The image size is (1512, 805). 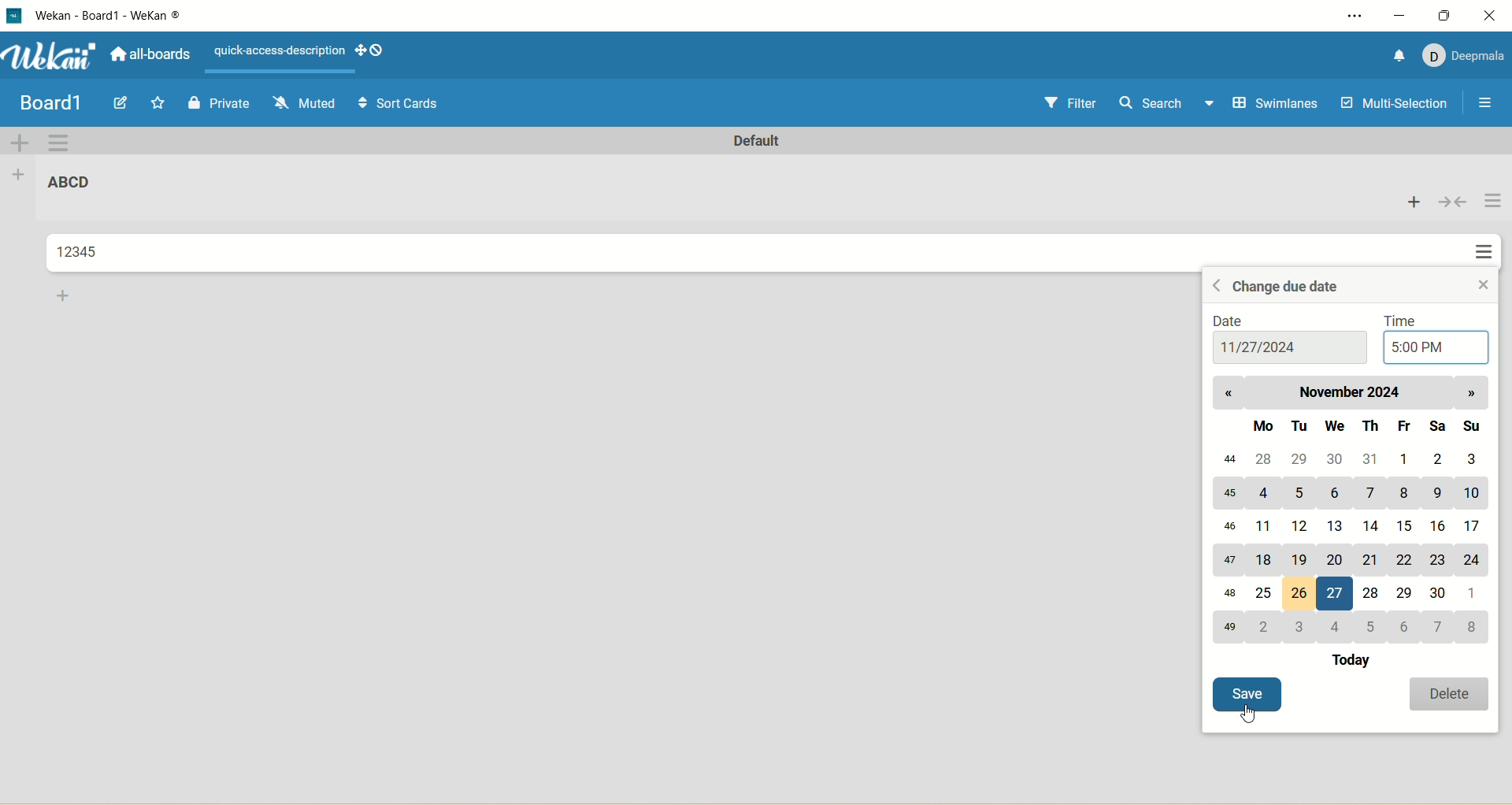 What do you see at coordinates (1490, 228) in the screenshot?
I see `actions` at bounding box center [1490, 228].